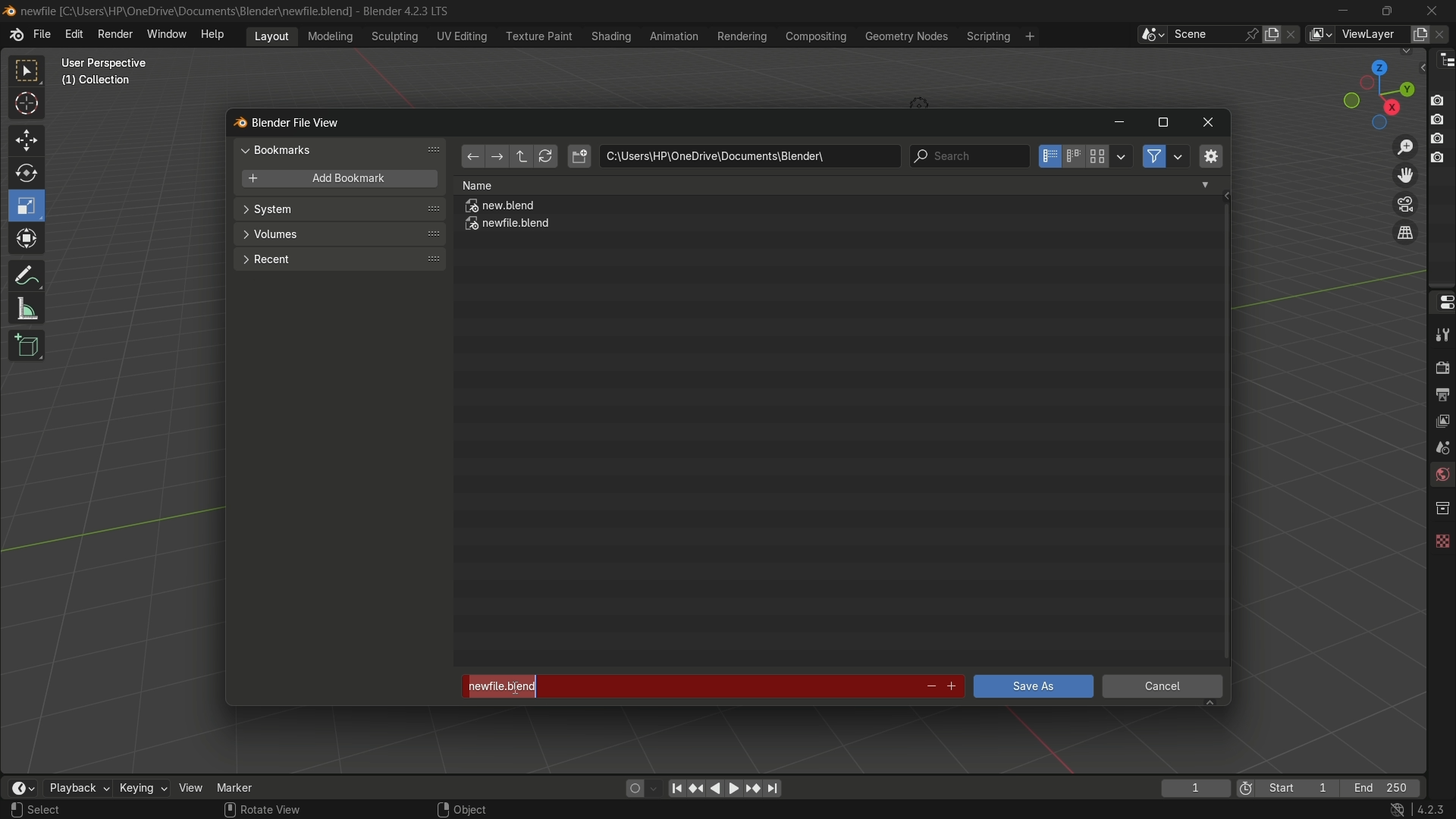 This screenshot has width=1456, height=819. What do you see at coordinates (1288, 788) in the screenshot?
I see `first frame of the playback` at bounding box center [1288, 788].